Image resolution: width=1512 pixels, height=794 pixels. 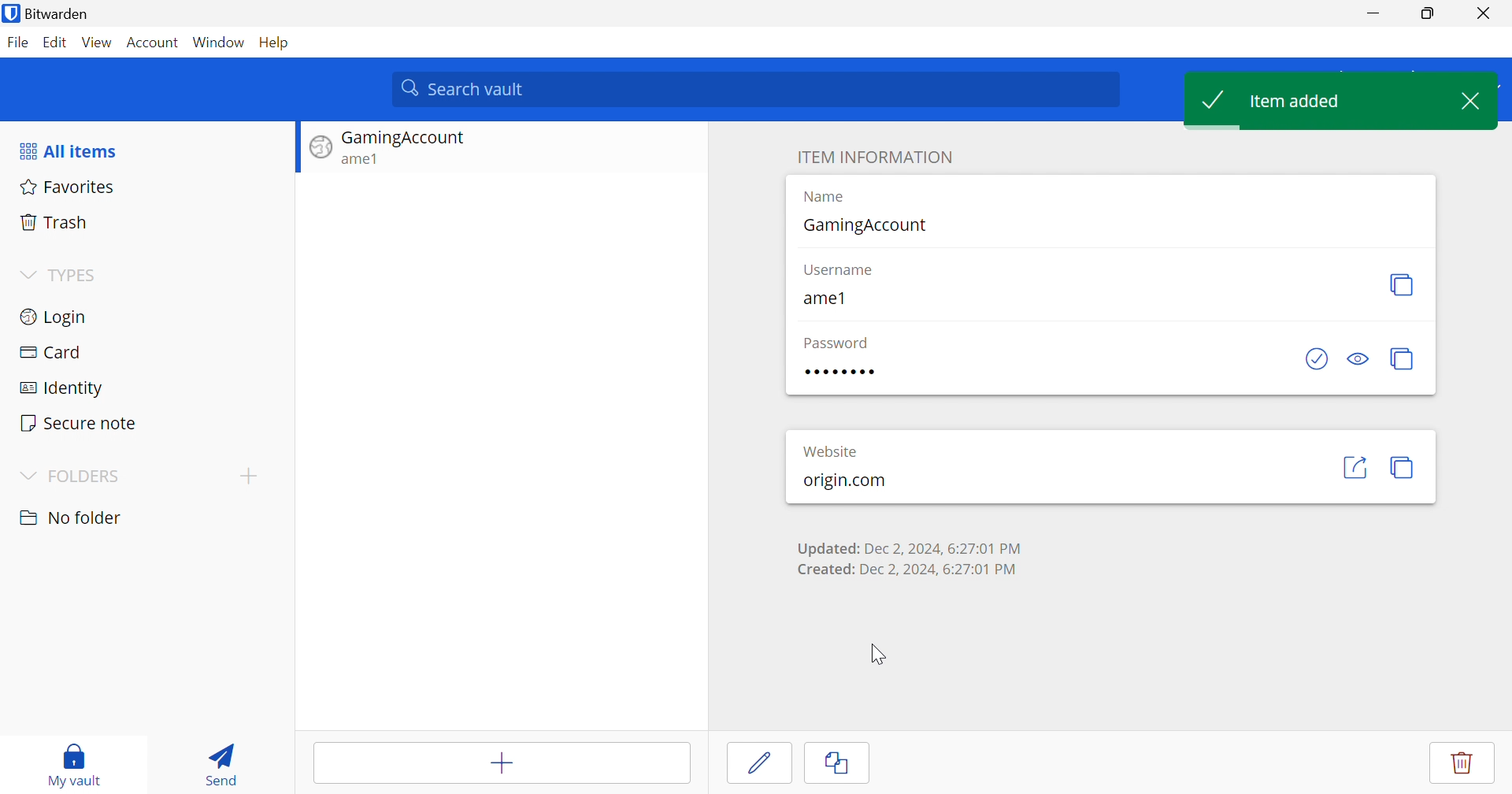 I want to click on Favorites, so click(x=68, y=188).